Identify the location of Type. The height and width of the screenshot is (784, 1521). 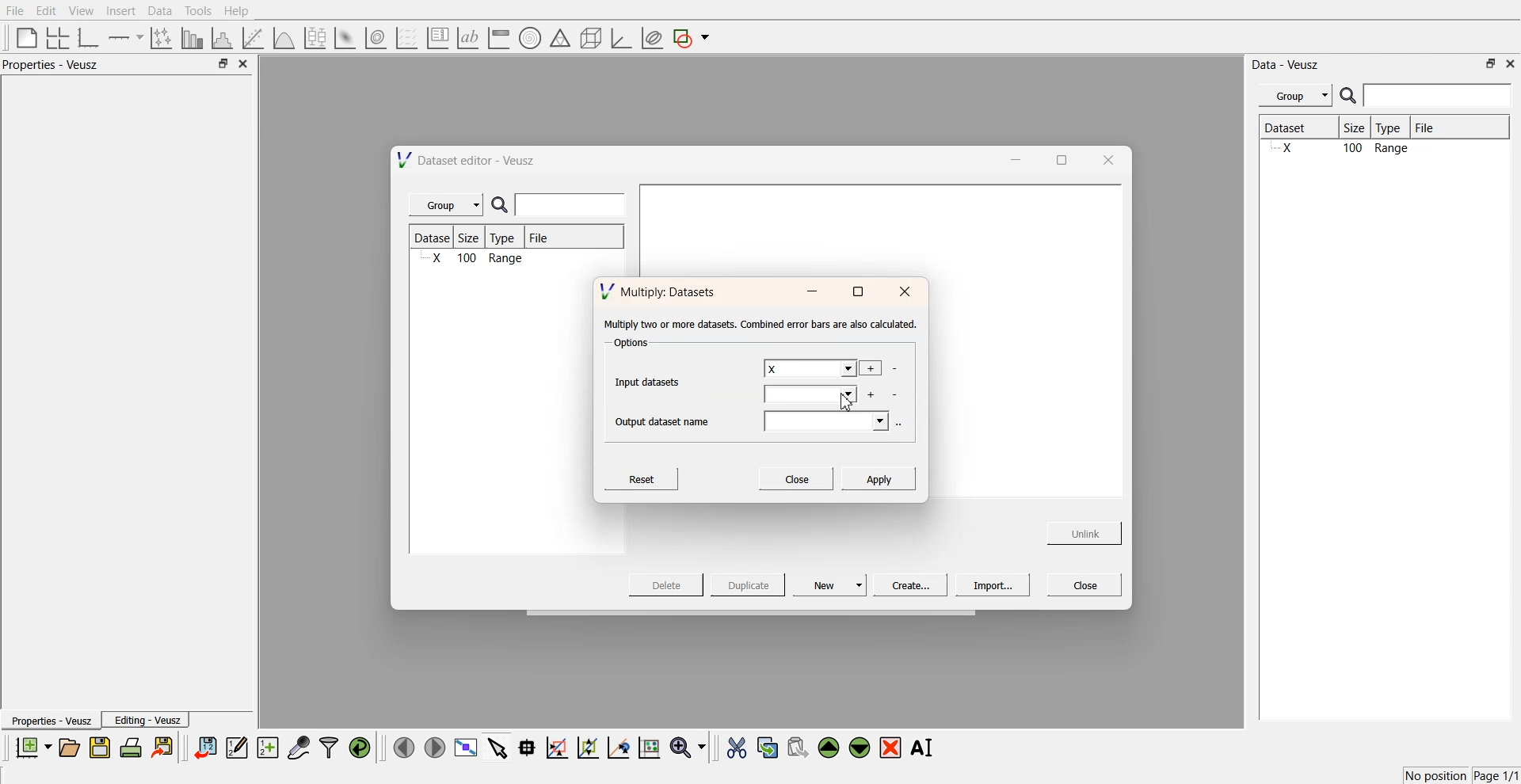
(507, 238).